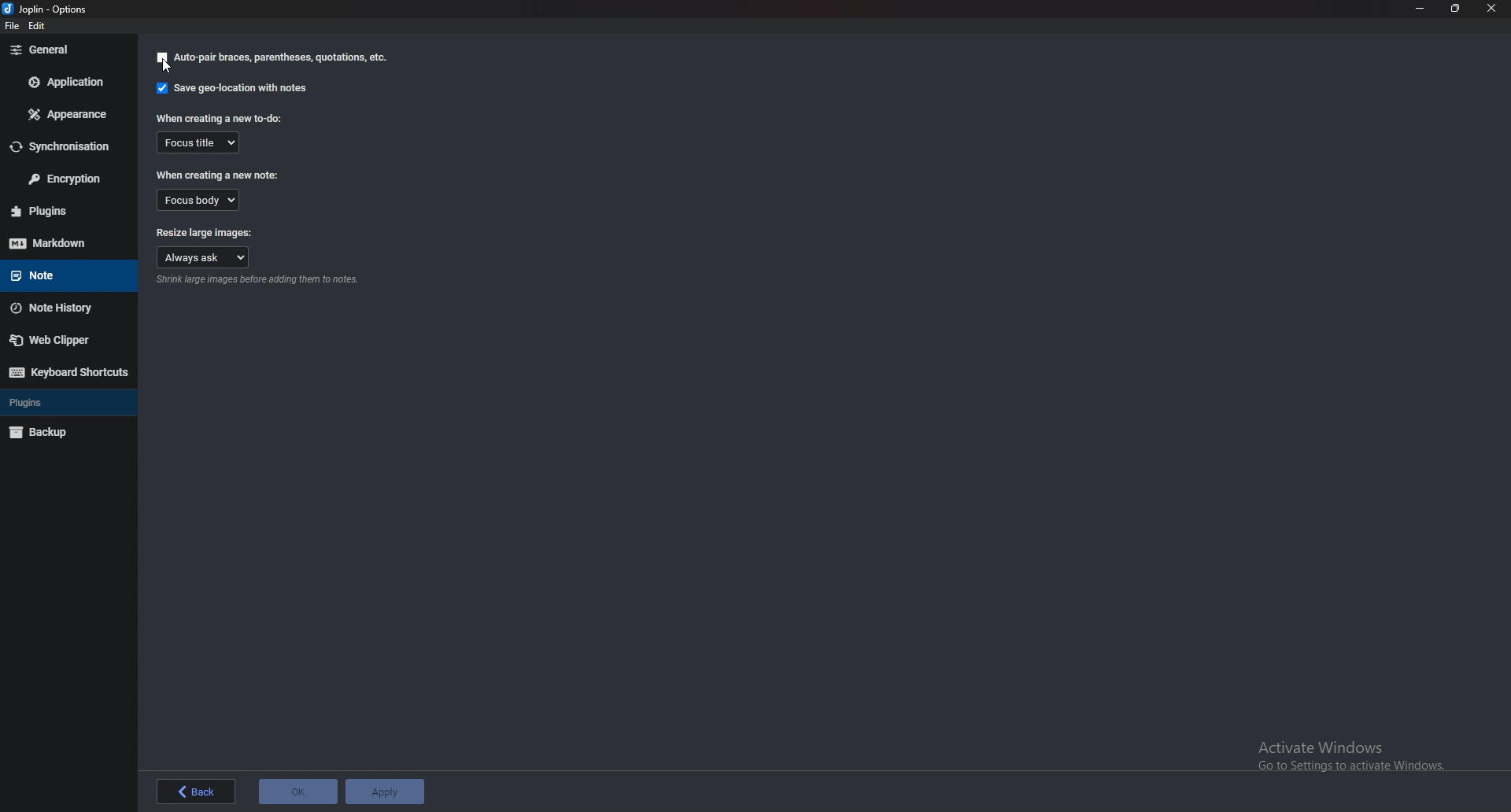  I want to click on cursor, so click(172, 72).